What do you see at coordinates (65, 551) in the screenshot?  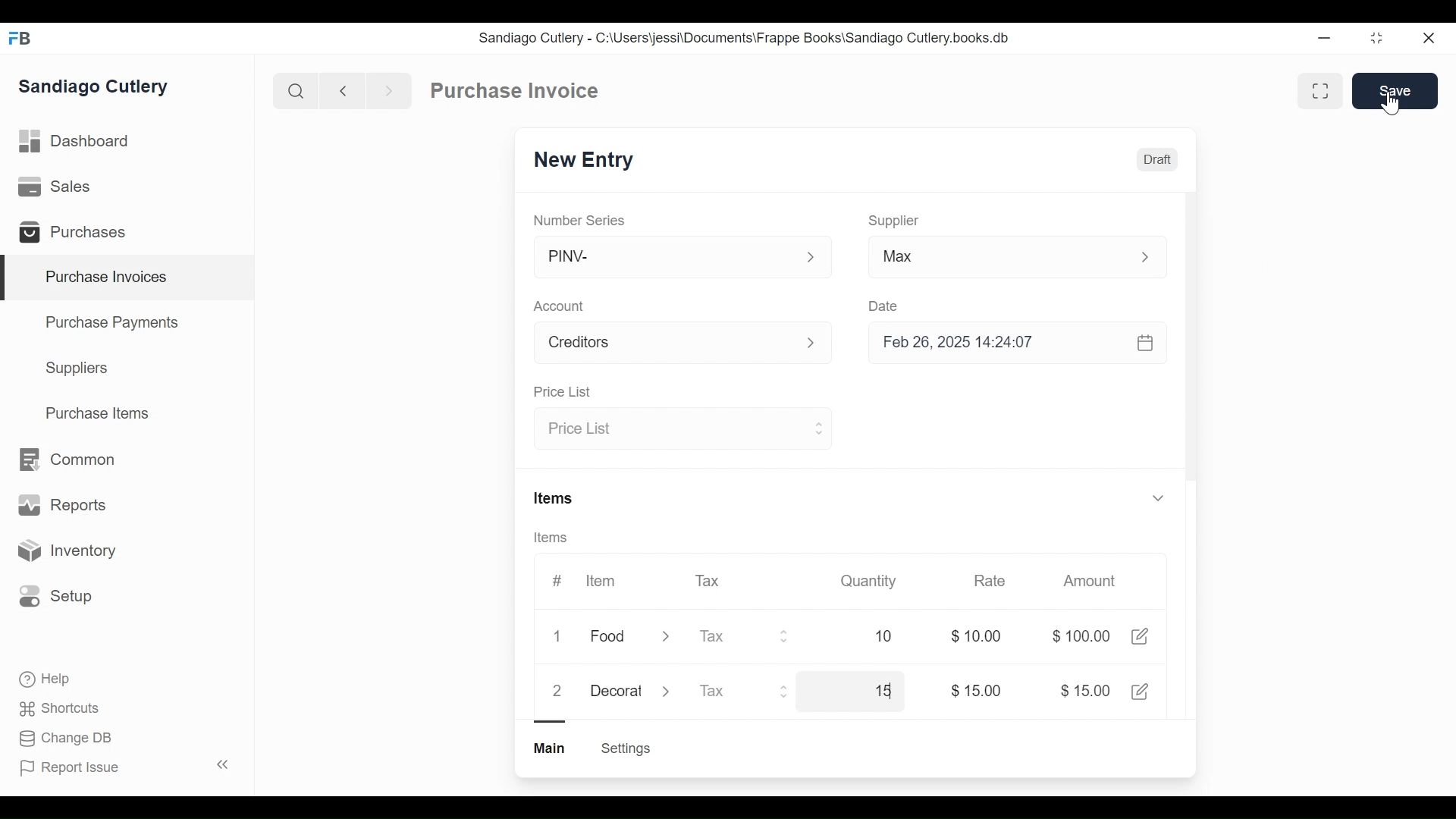 I see `Inventory` at bounding box center [65, 551].